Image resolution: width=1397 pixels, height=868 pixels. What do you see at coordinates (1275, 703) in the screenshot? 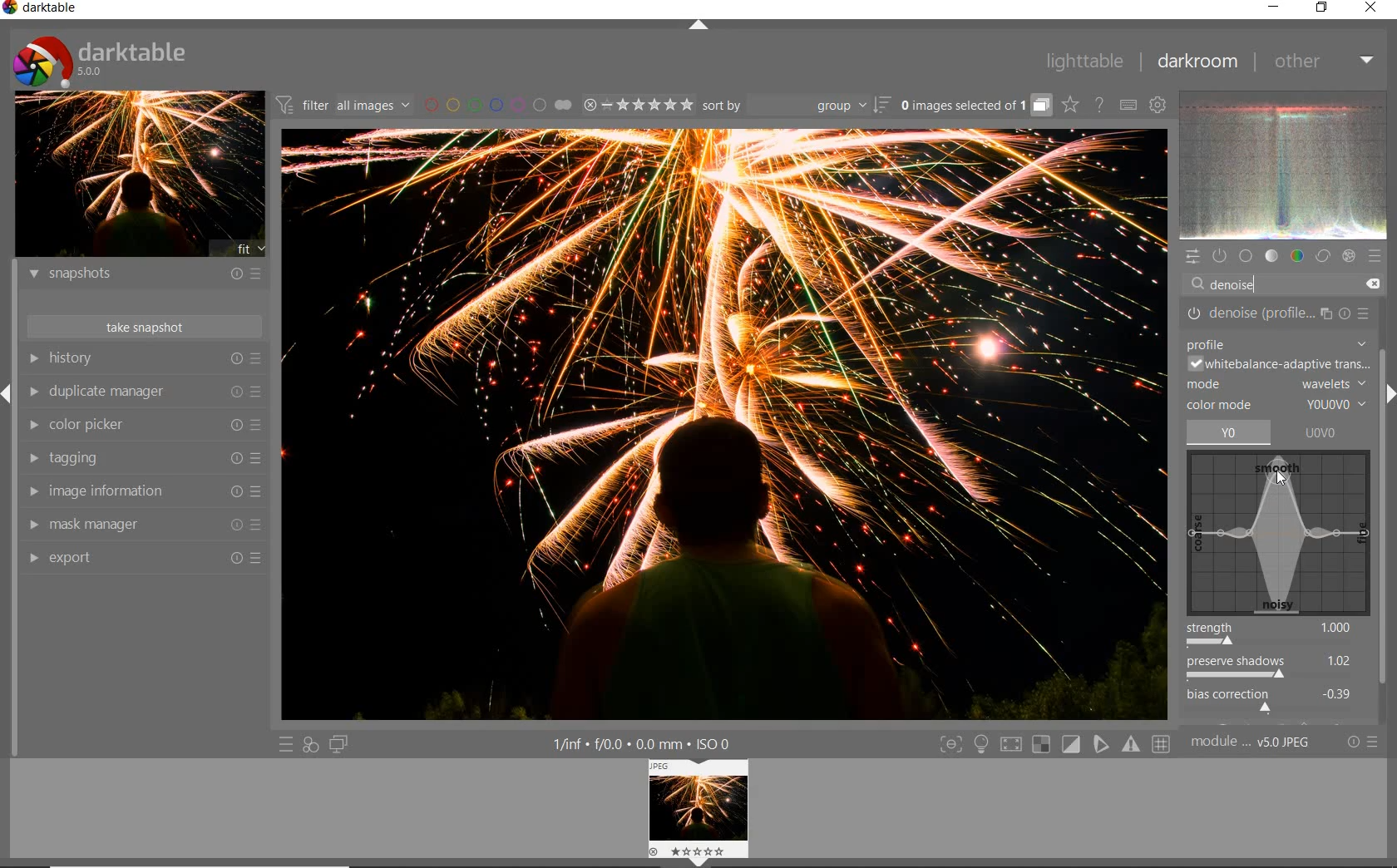
I see `bias correction` at bounding box center [1275, 703].